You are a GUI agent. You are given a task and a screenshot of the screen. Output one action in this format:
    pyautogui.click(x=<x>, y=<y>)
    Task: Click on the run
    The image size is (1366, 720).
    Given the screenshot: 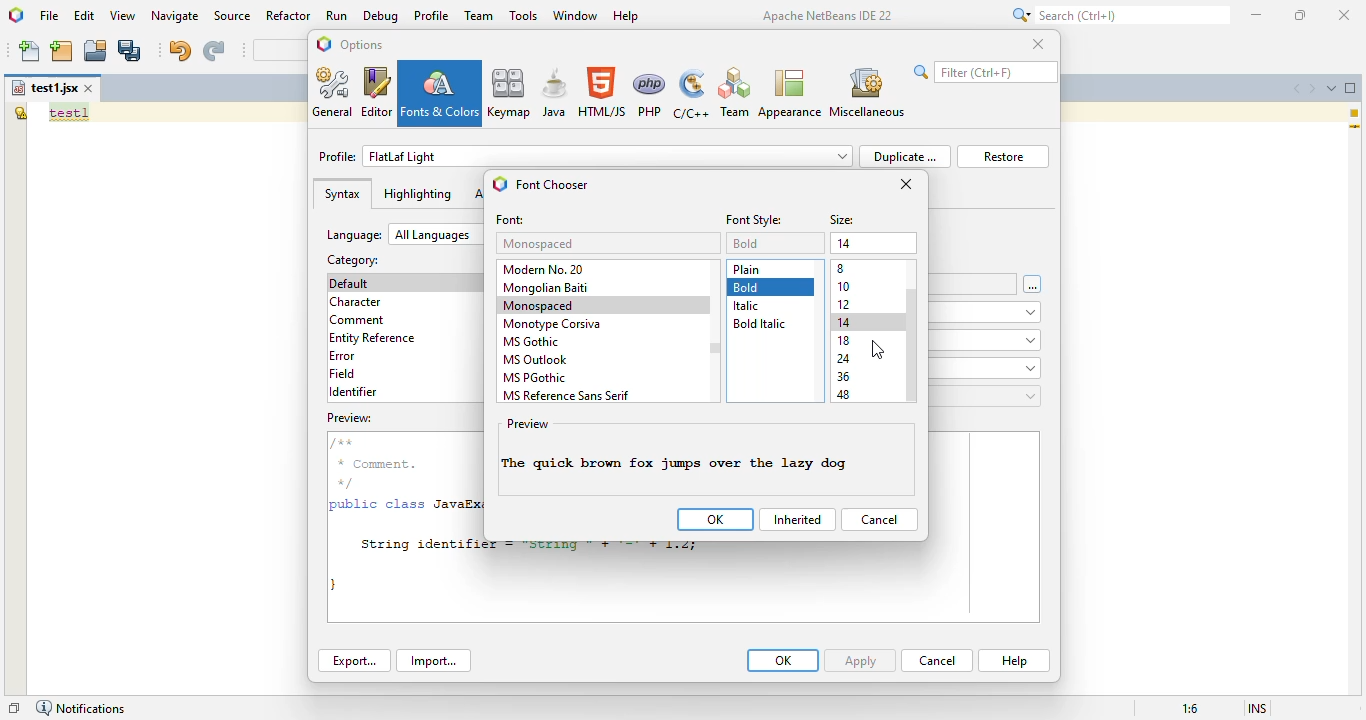 What is the action you would take?
    pyautogui.click(x=337, y=16)
    